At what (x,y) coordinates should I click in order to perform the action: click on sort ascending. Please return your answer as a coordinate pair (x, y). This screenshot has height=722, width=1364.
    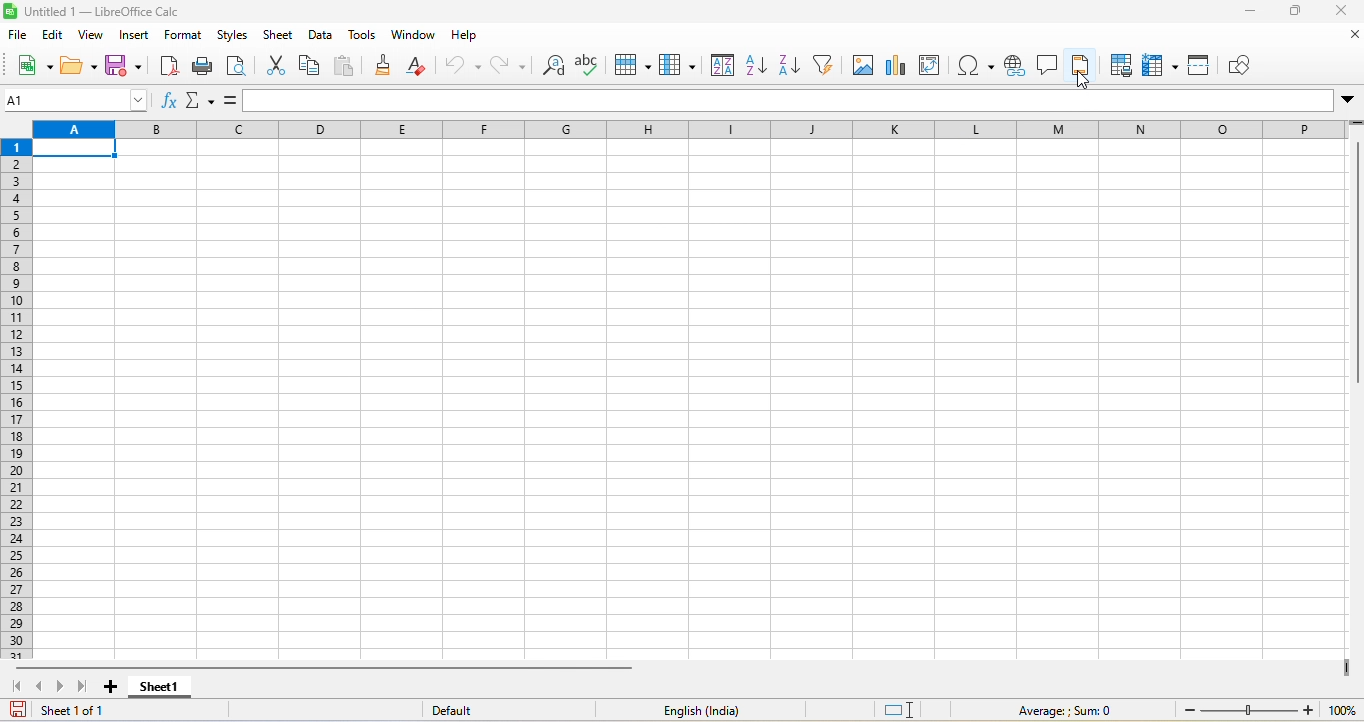
    Looking at the image, I should click on (757, 65).